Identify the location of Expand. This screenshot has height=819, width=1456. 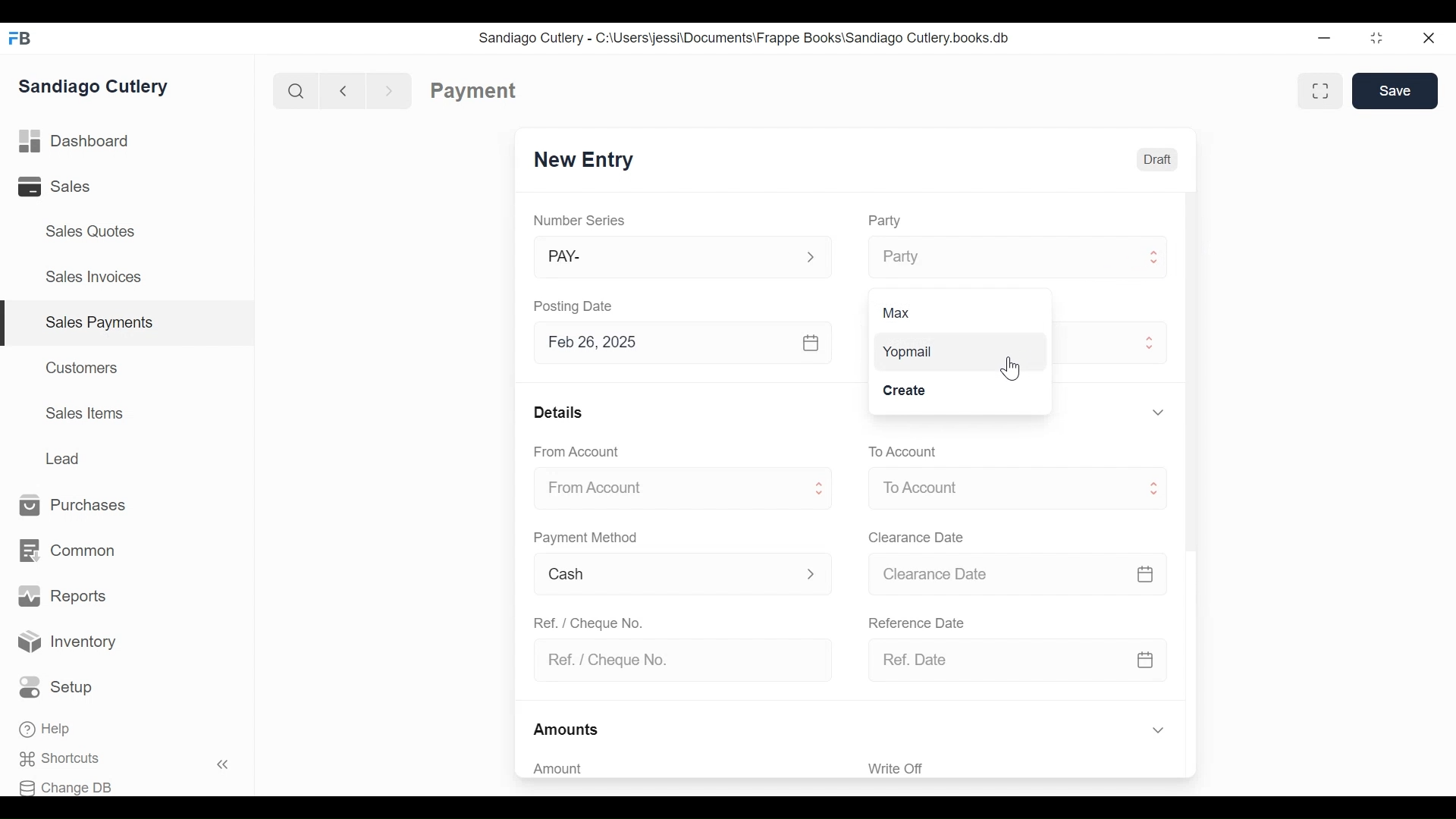
(1151, 340).